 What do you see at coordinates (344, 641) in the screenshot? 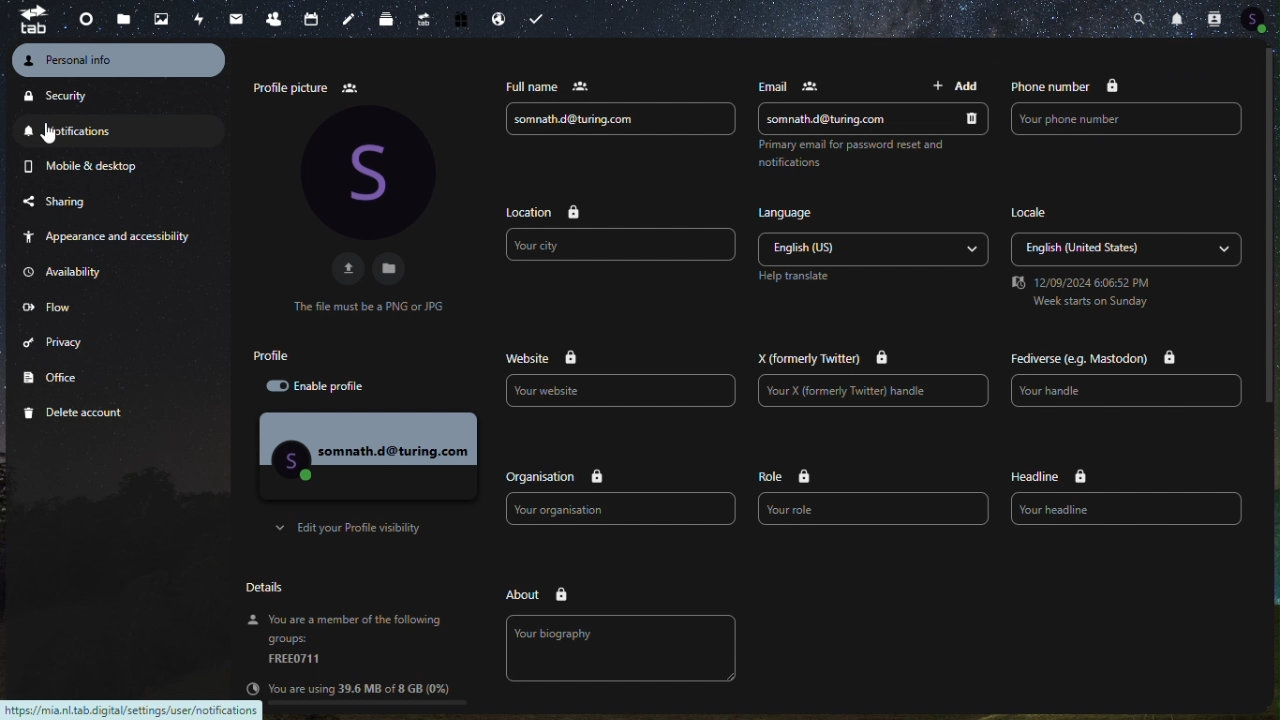
I see `Your are a member of the following groups FREE0711` at bounding box center [344, 641].